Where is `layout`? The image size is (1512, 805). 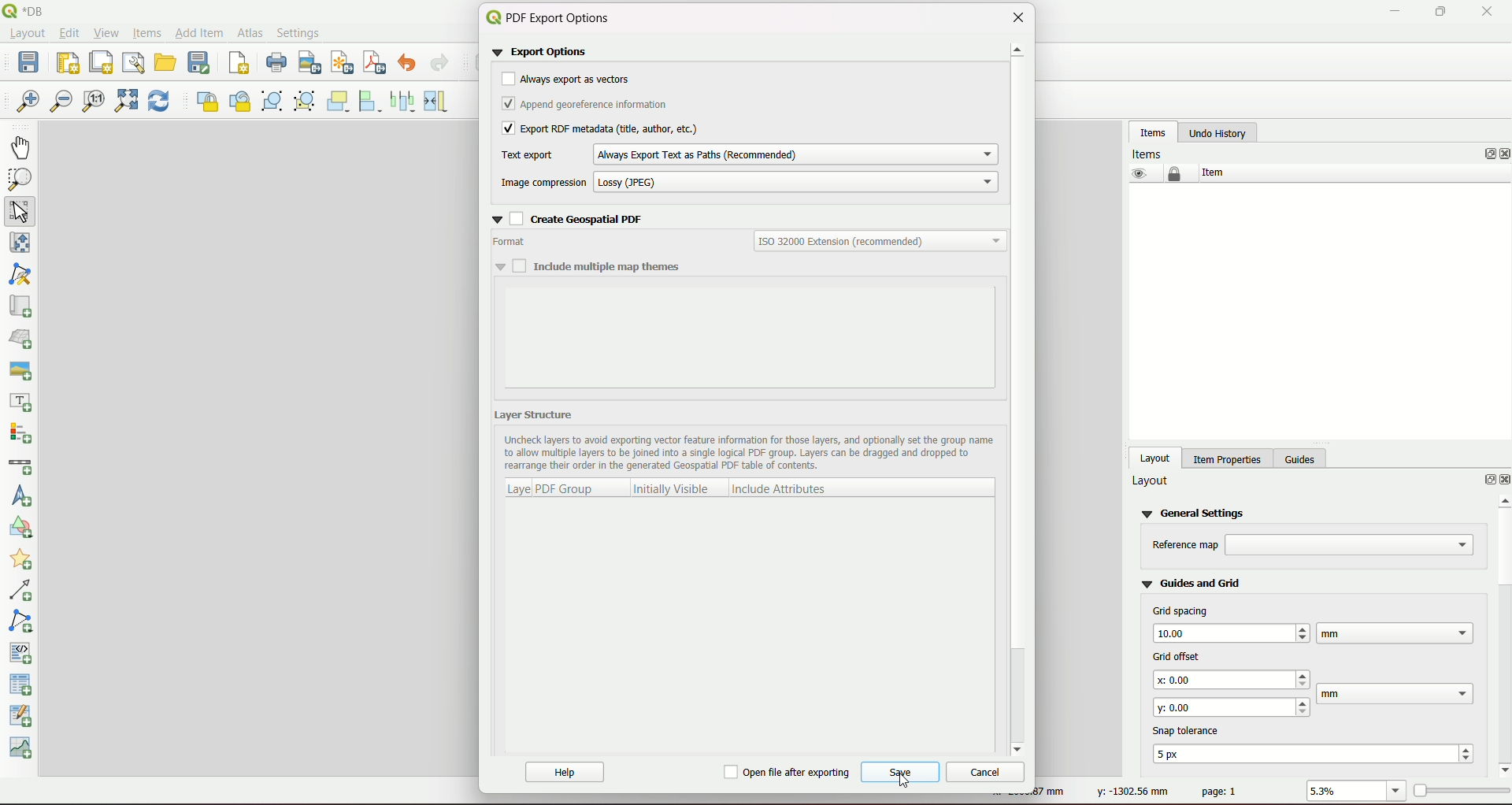 layout is located at coordinates (1156, 457).